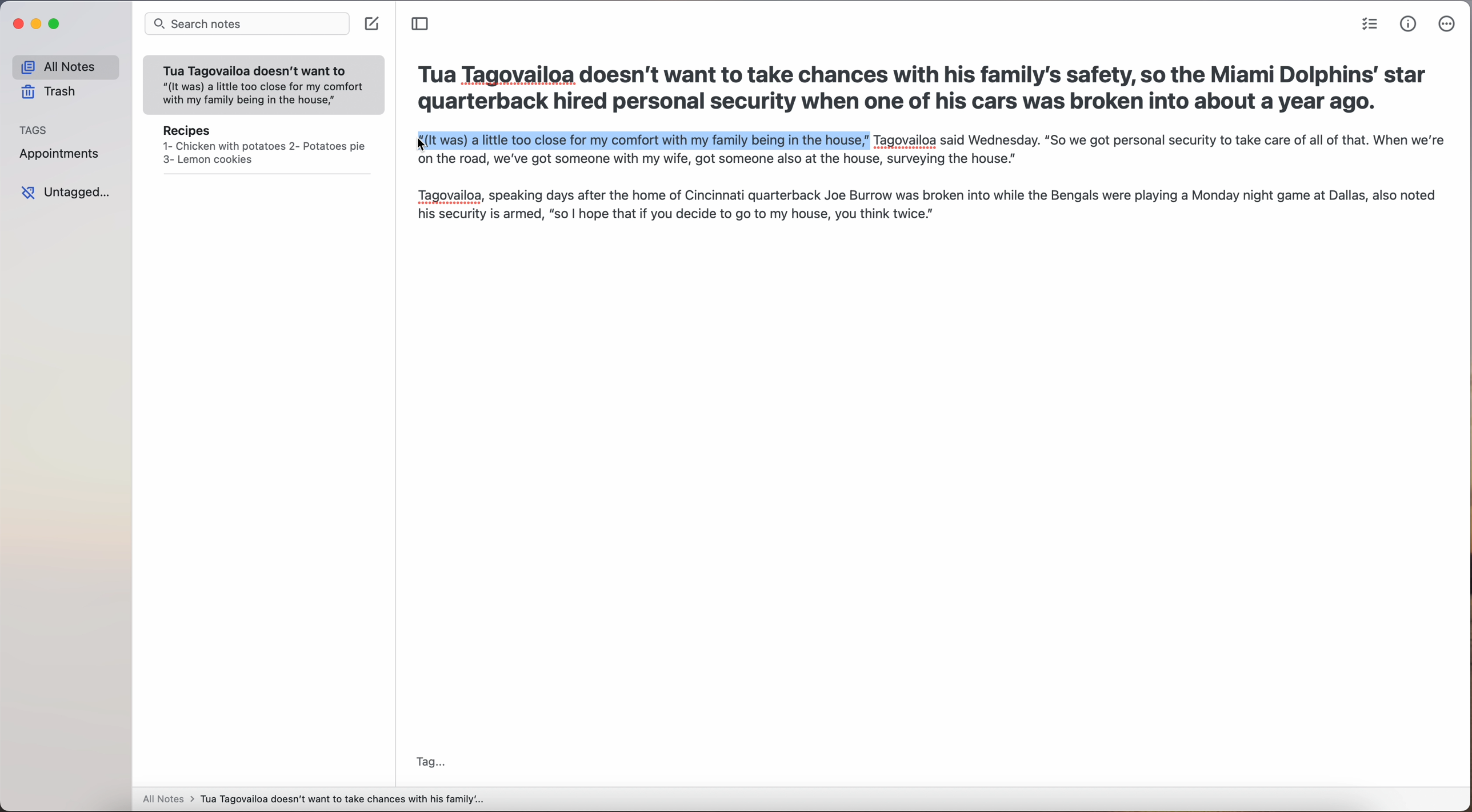  What do you see at coordinates (1448, 24) in the screenshot?
I see `more options` at bounding box center [1448, 24].